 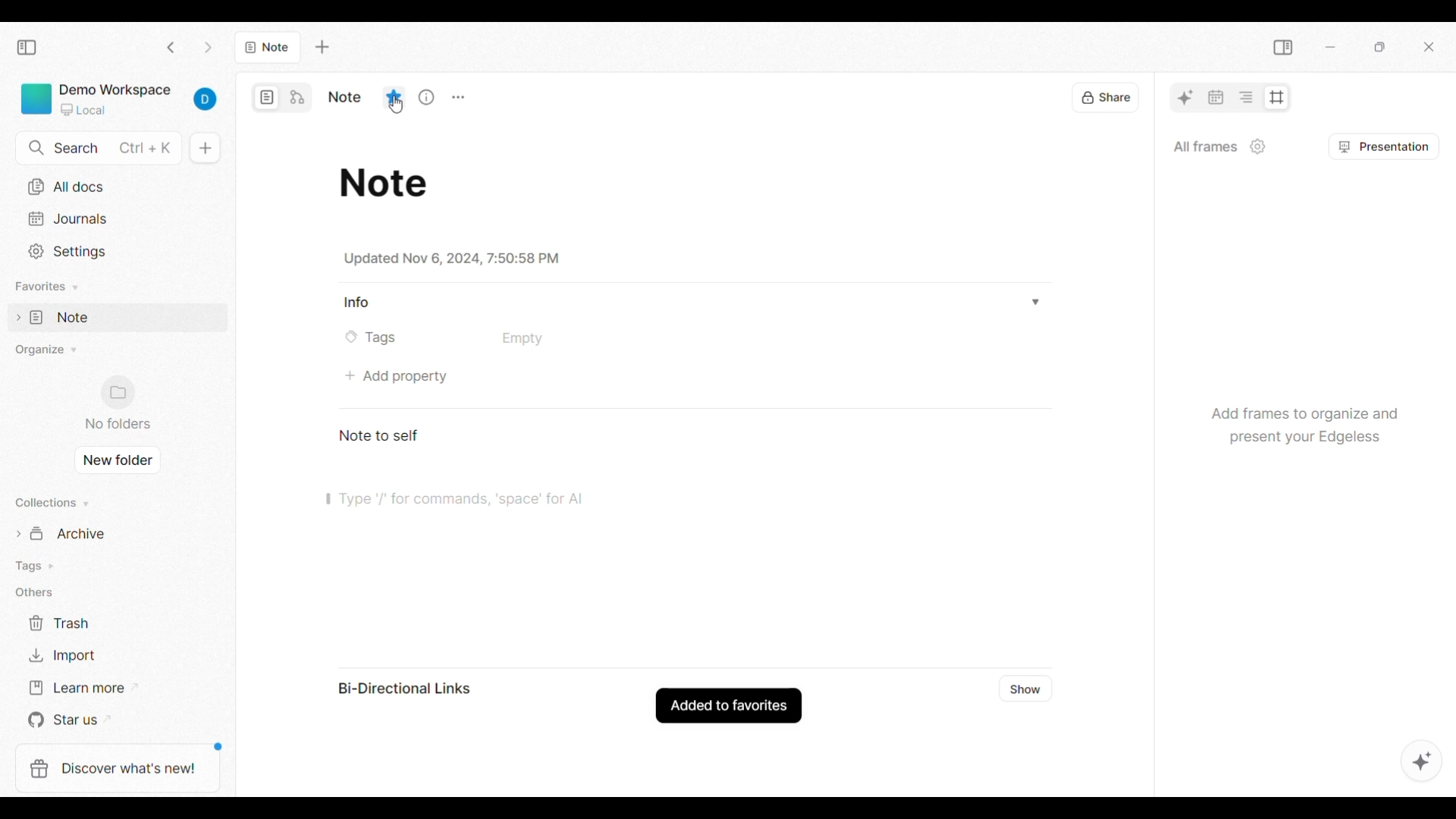 What do you see at coordinates (205, 148) in the screenshot?
I see `Add new doc` at bounding box center [205, 148].